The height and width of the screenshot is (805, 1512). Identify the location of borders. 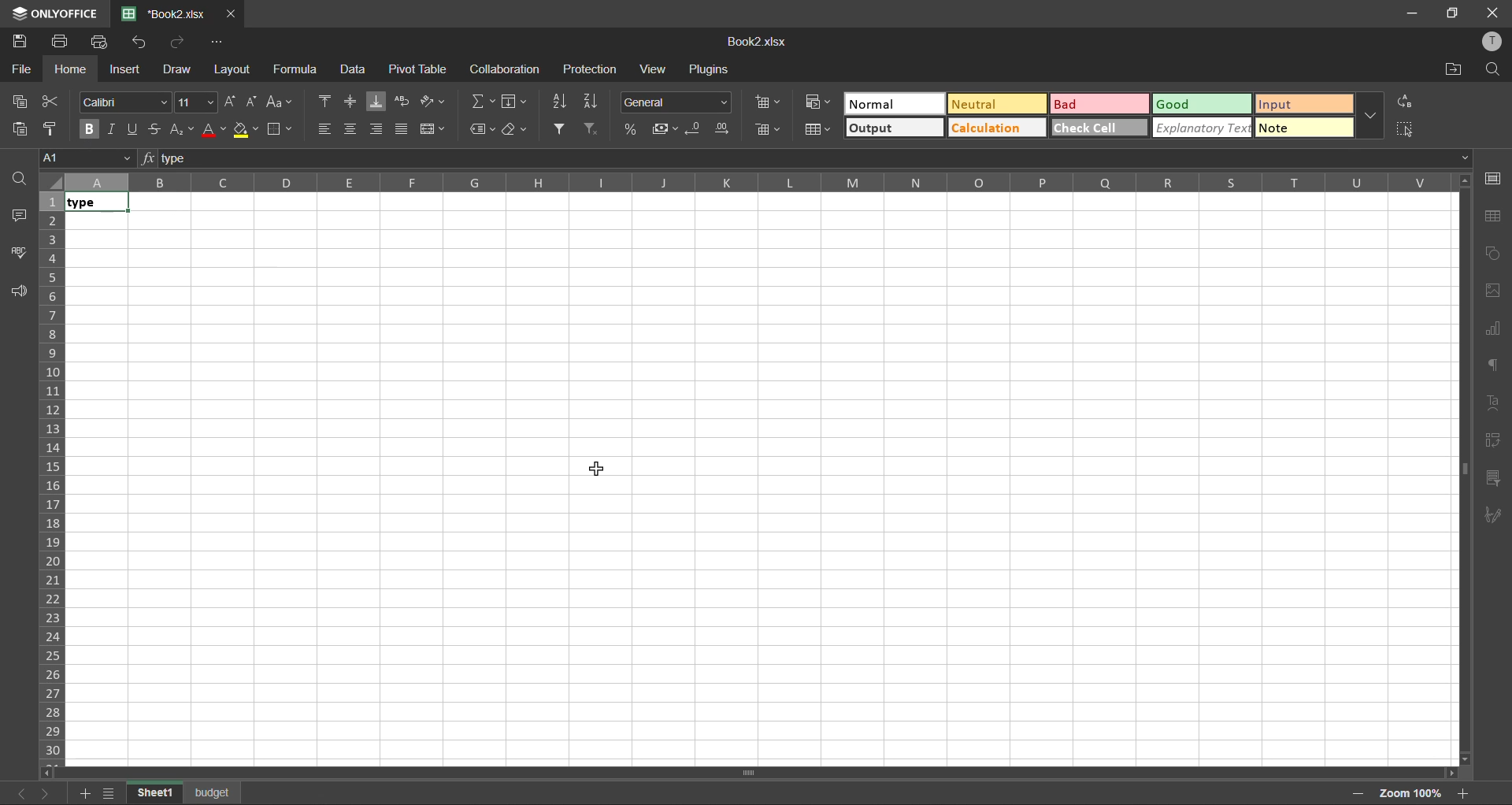
(279, 132).